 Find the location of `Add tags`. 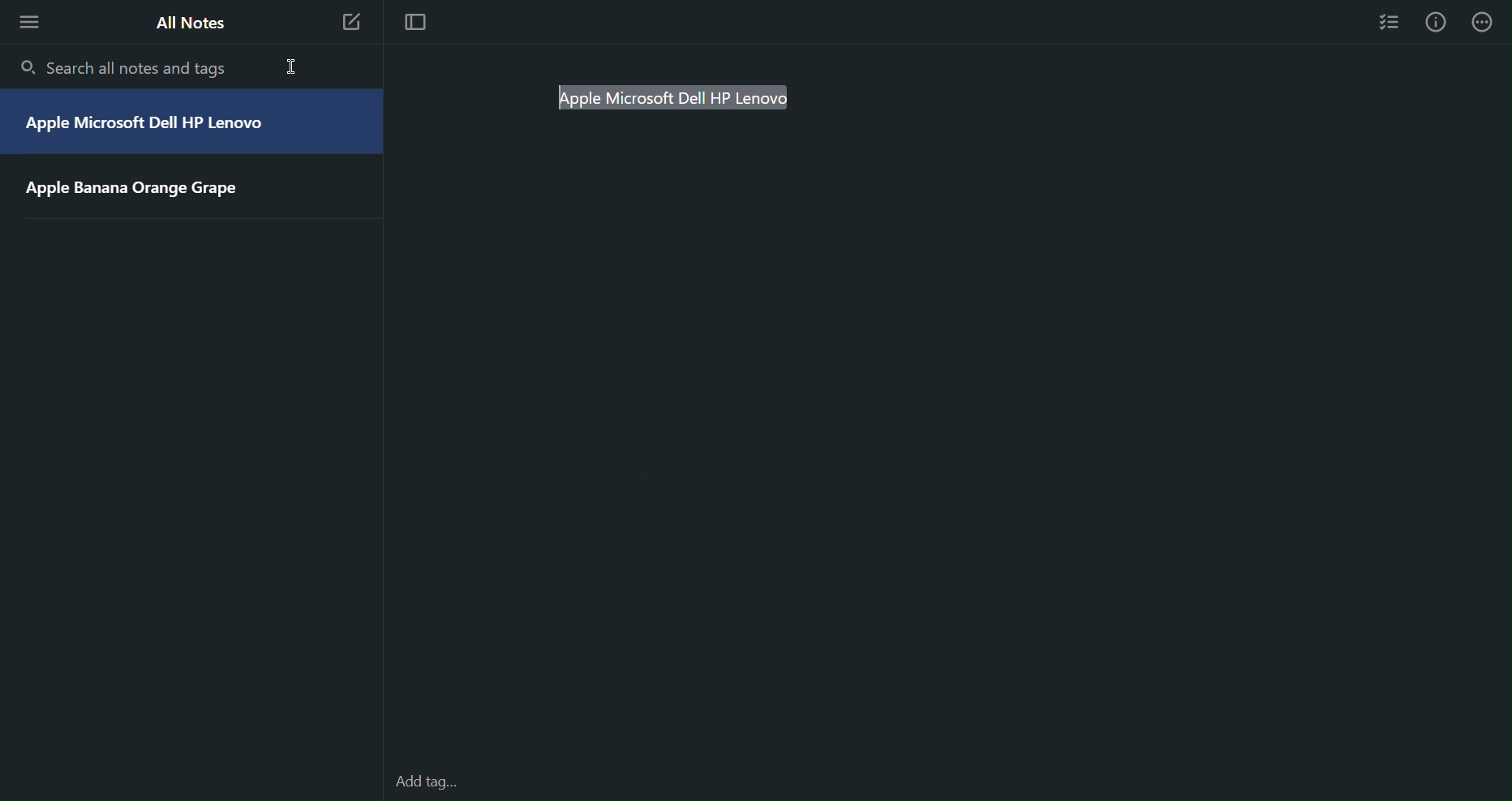

Add tags is located at coordinates (429, 782).